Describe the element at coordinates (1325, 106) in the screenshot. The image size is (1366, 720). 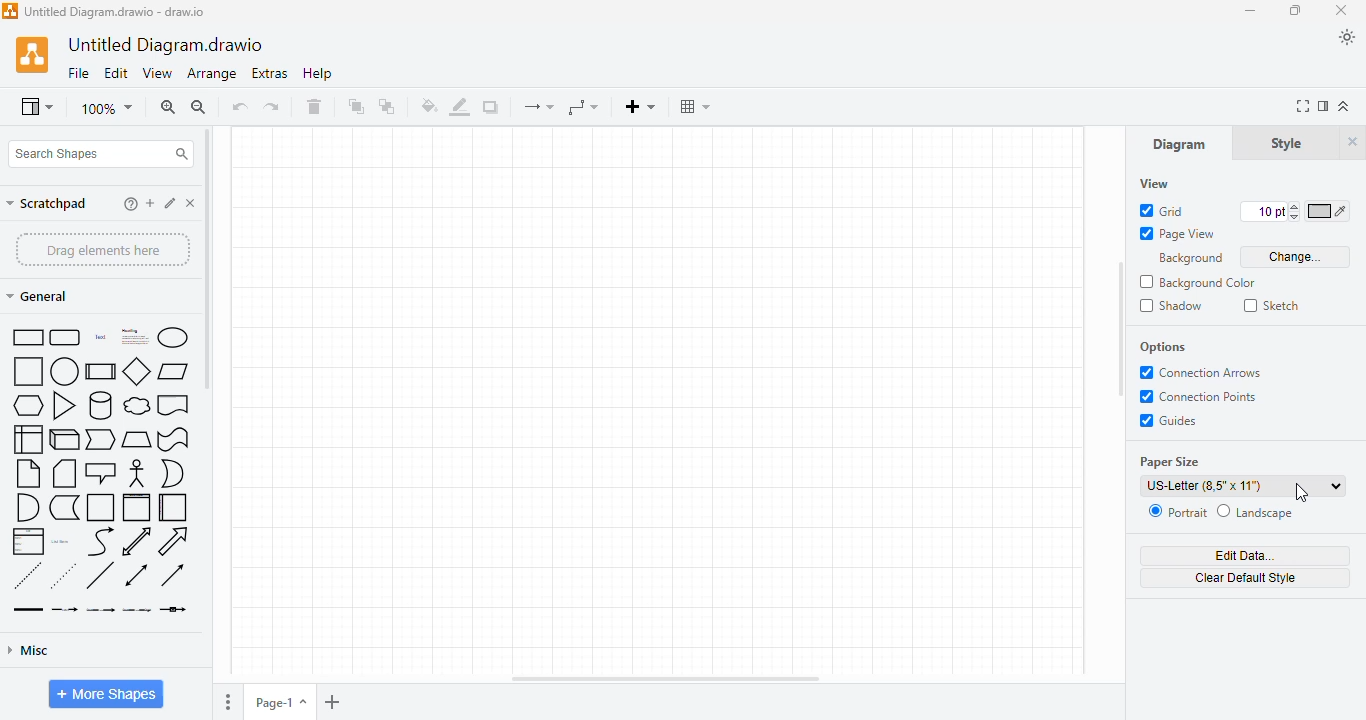
I see `format` at that location.